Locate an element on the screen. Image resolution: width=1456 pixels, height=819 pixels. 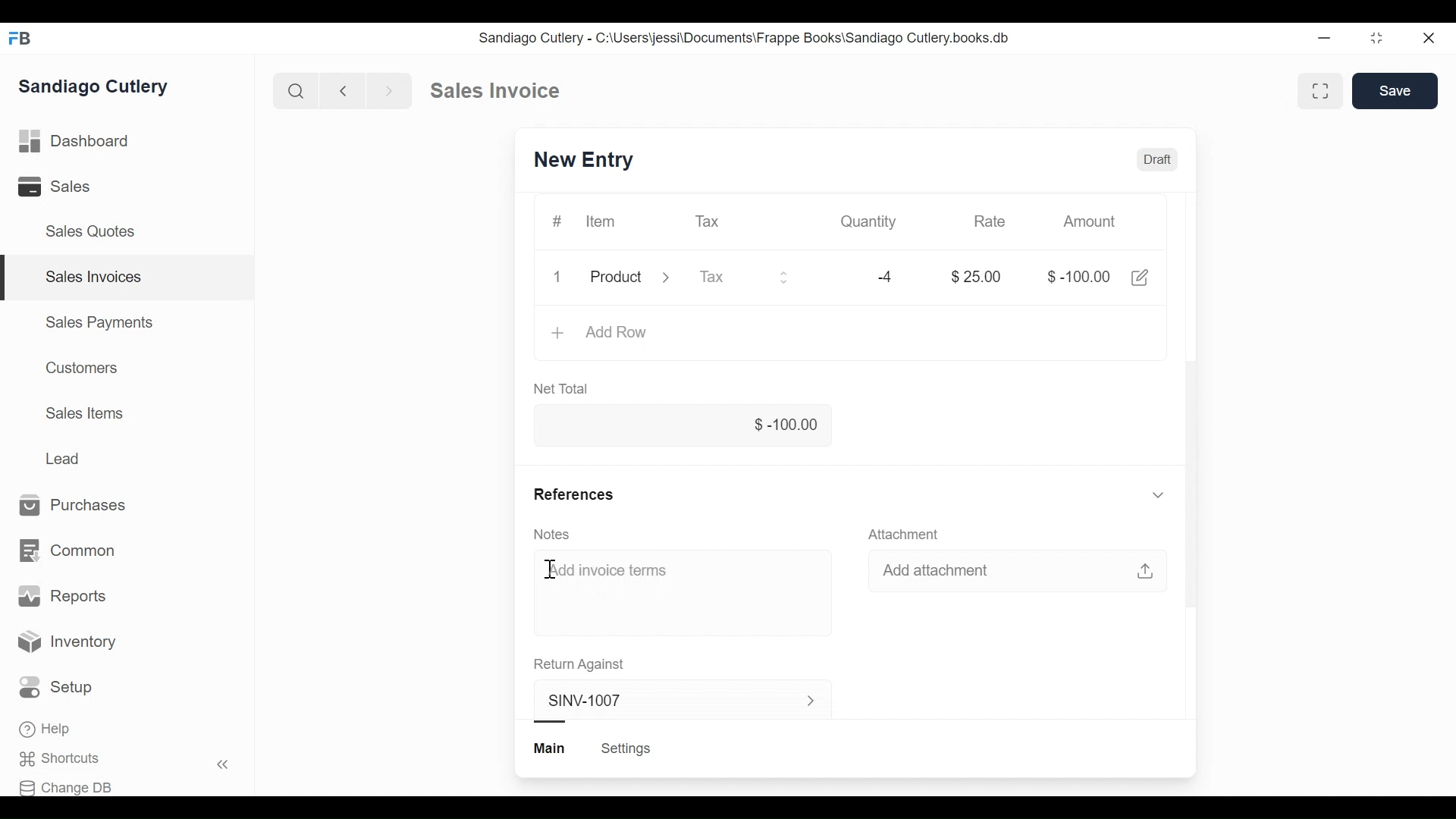
1 is located at coordinates (555, 275).